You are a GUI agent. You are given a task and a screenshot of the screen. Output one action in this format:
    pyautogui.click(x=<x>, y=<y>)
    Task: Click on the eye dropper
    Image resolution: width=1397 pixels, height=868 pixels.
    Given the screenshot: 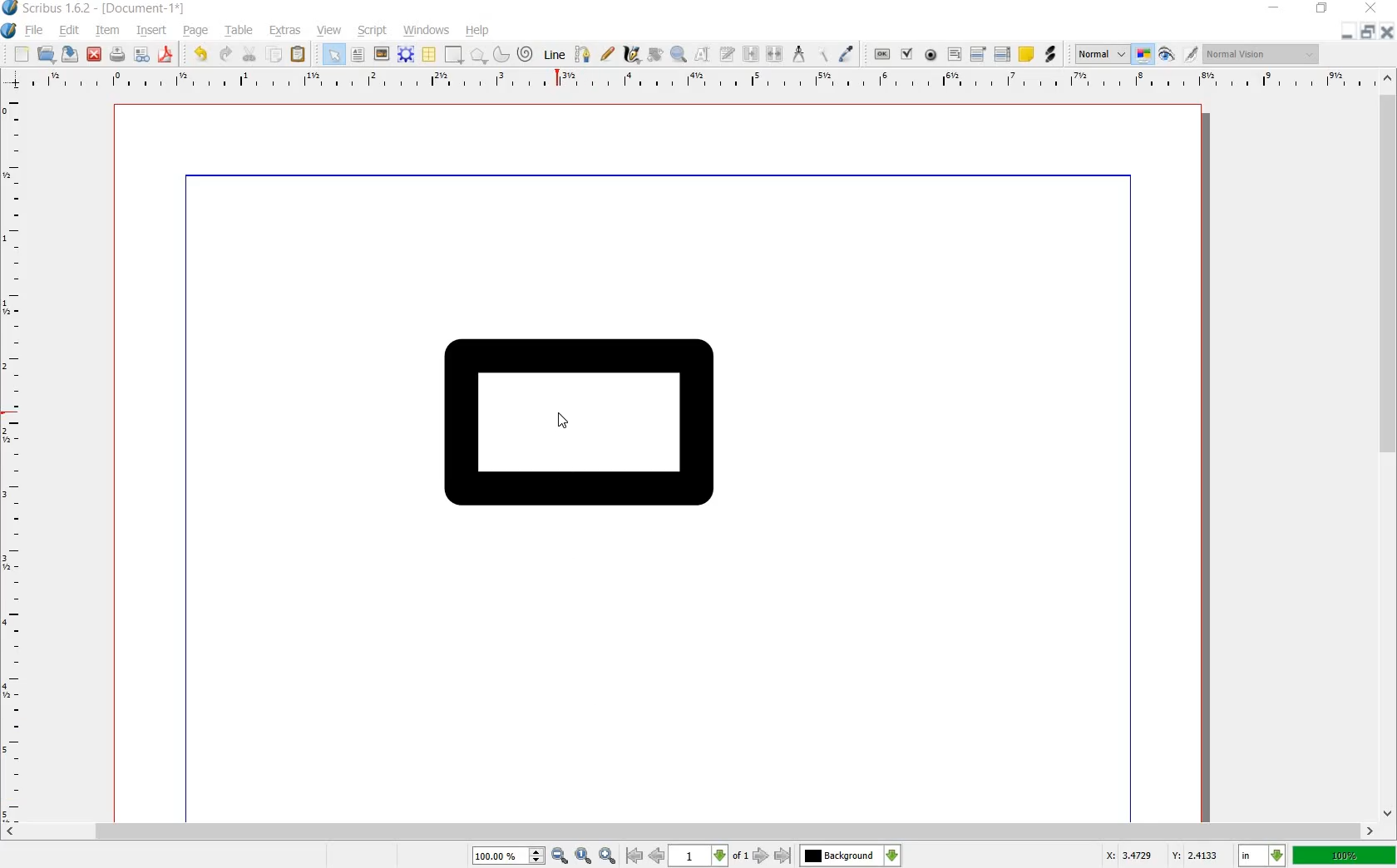 What is the action you would take?
    pyautogui.click(x=847, y=53)
    